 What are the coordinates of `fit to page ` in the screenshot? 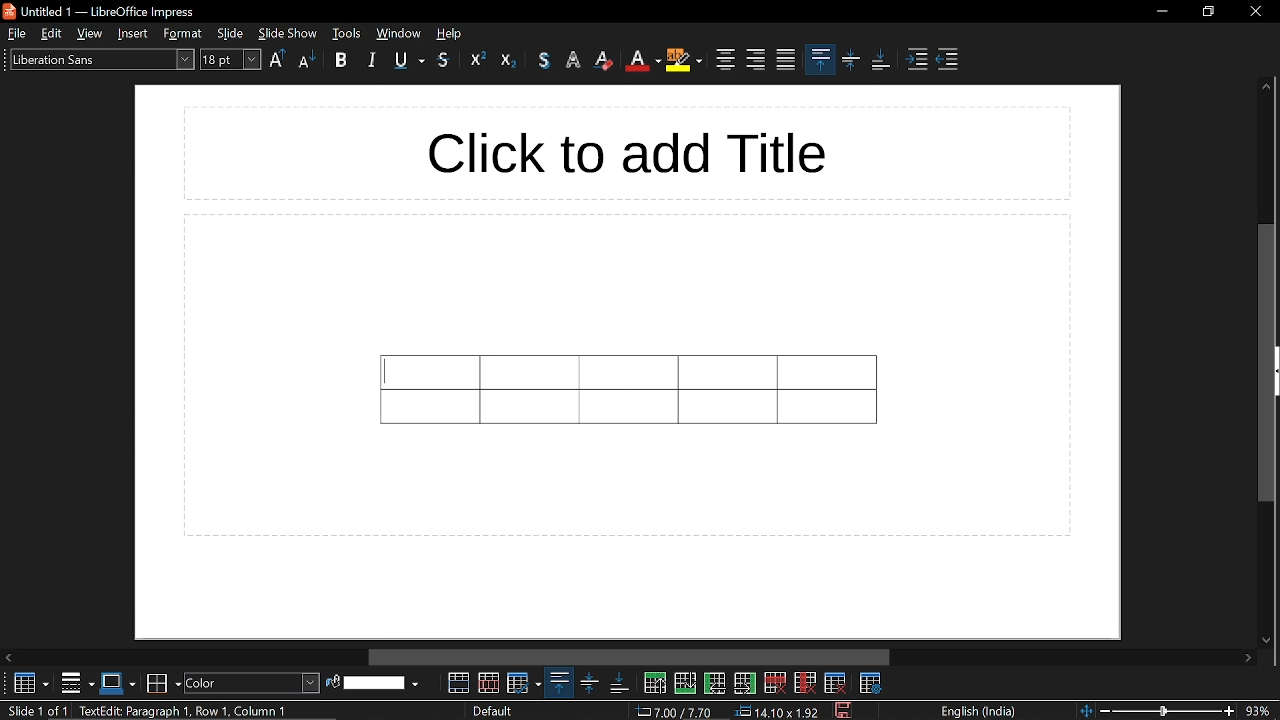 It's located at (1086, 709).